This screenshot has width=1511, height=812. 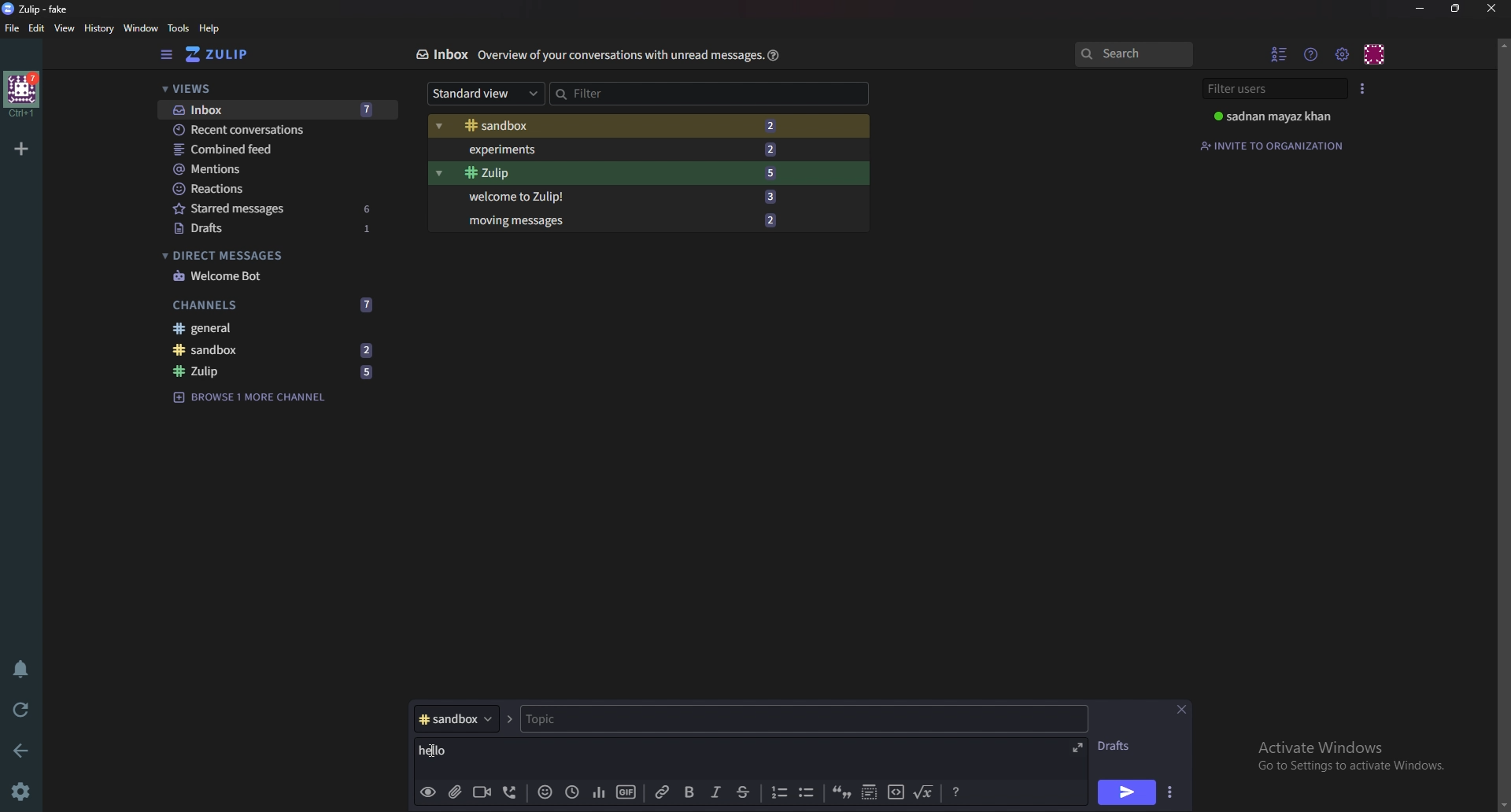 I want to click on Bold, so click(x=689, y=794).